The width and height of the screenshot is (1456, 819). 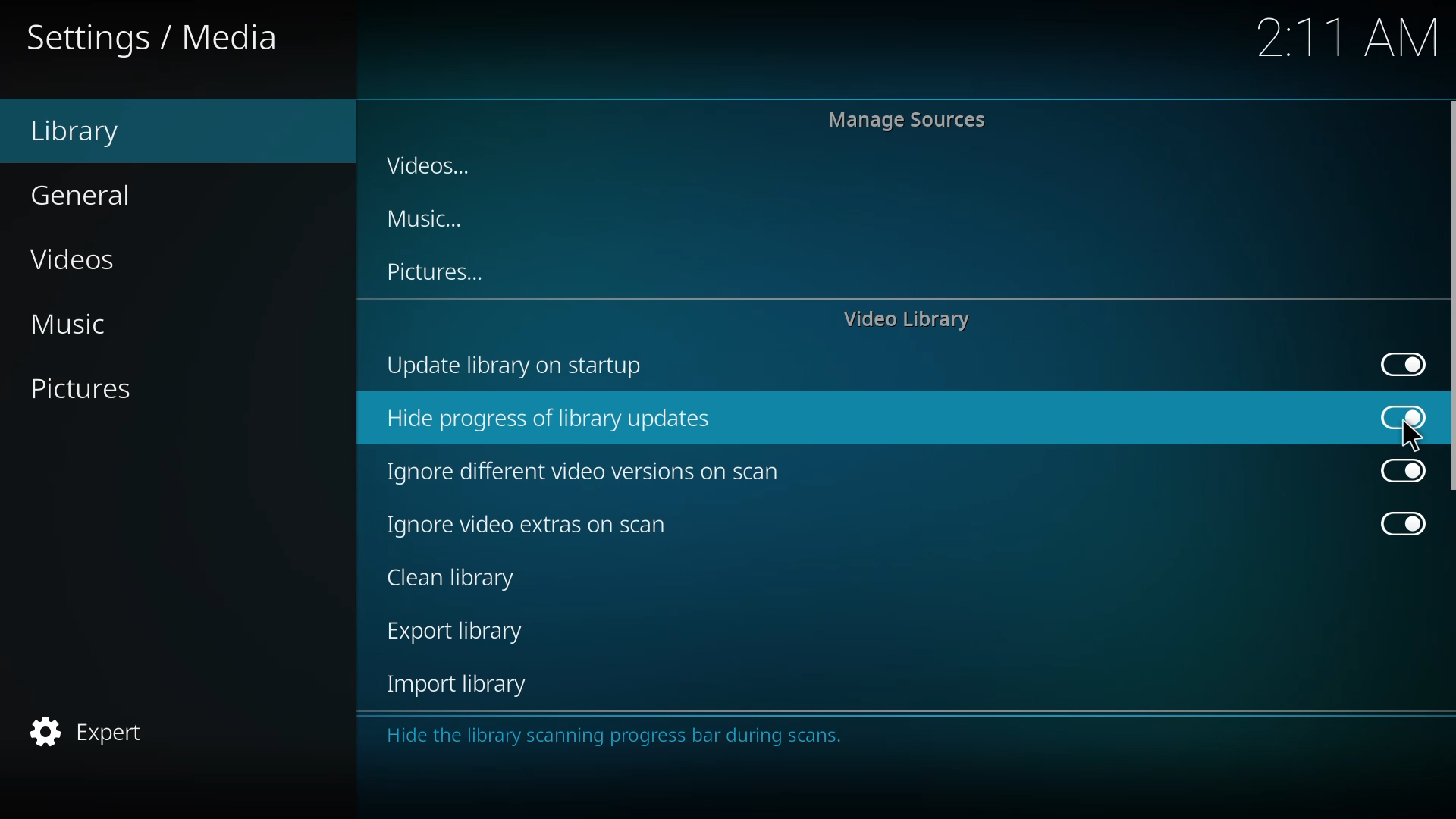 I want to click on update library on startup, so click(x=529, y=366).